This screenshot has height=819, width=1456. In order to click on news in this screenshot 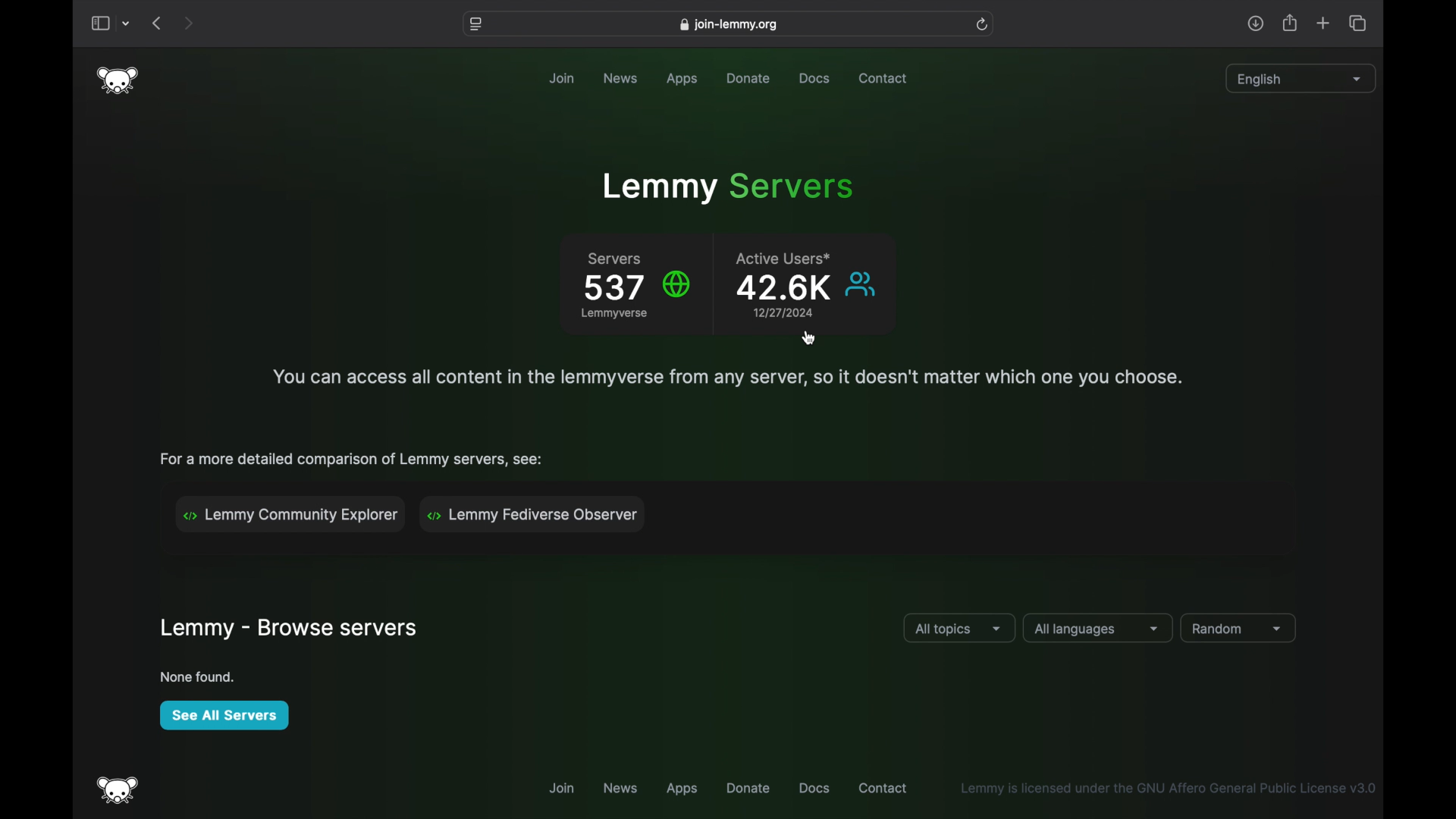, I will do `click(623, 788)`.